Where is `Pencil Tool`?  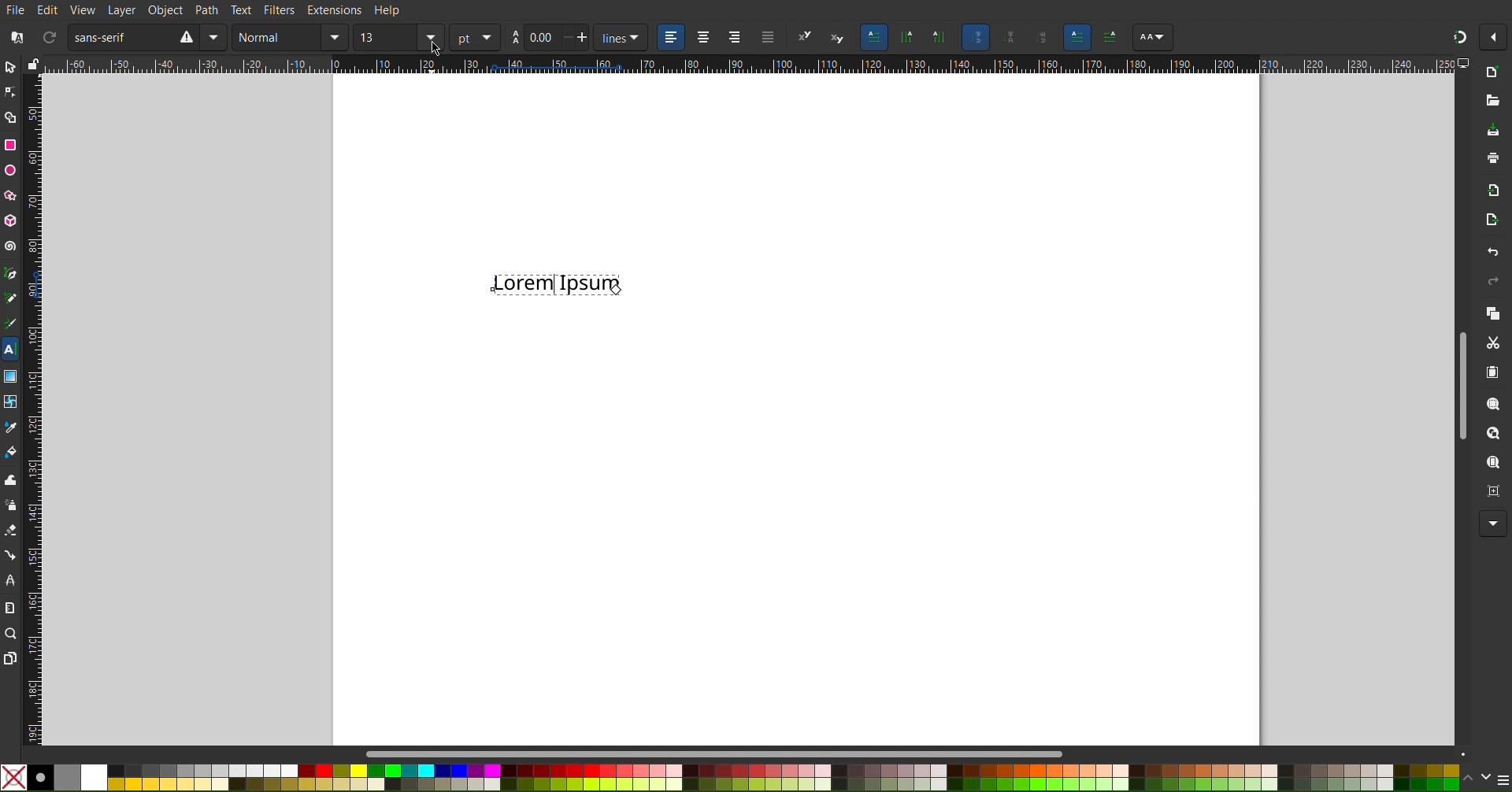
Pencil Tool is located at coordinates (11, 298).